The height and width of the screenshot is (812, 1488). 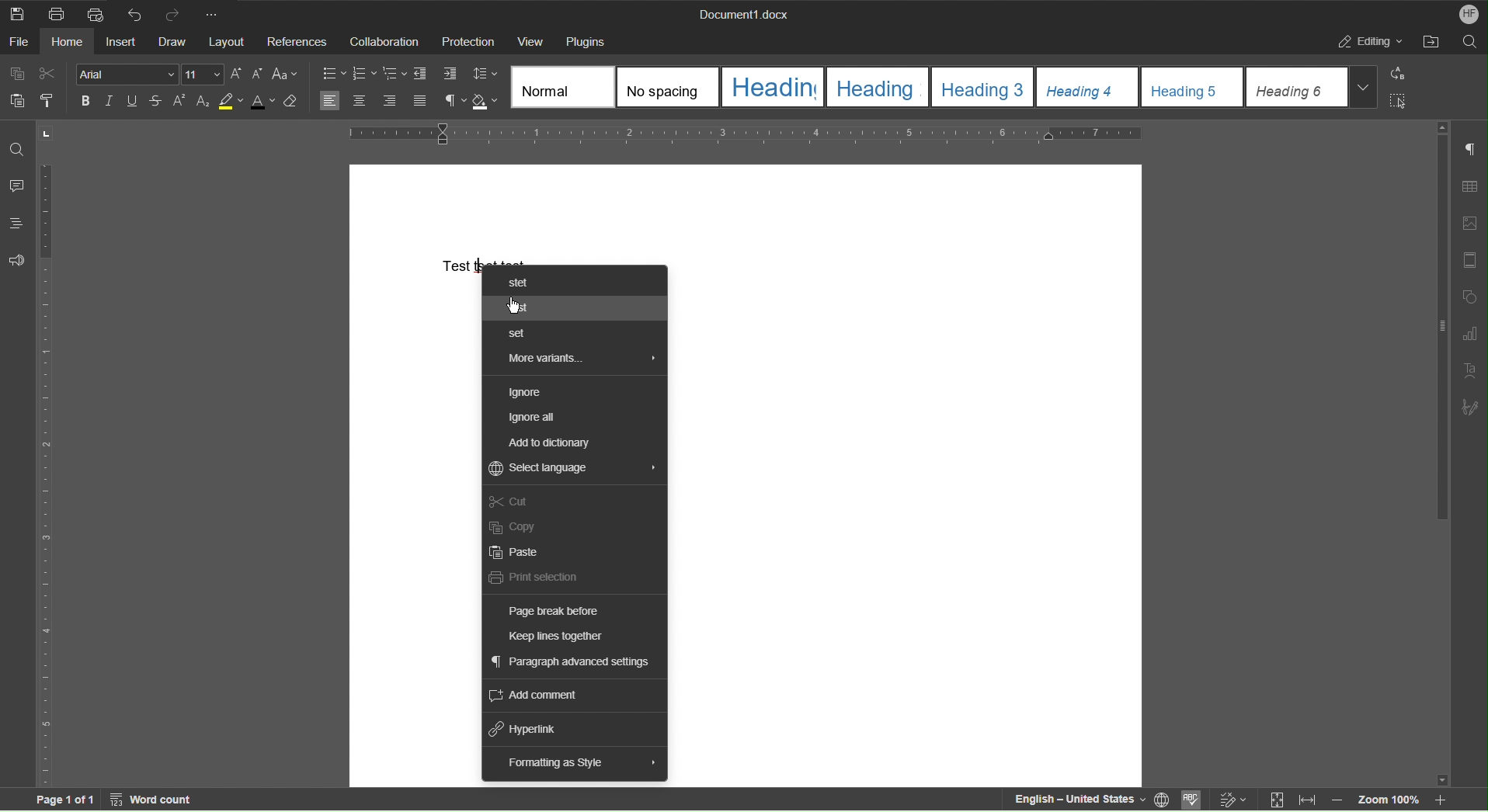 I want to click on Keep Lines Together, so click(x=556, y=639).